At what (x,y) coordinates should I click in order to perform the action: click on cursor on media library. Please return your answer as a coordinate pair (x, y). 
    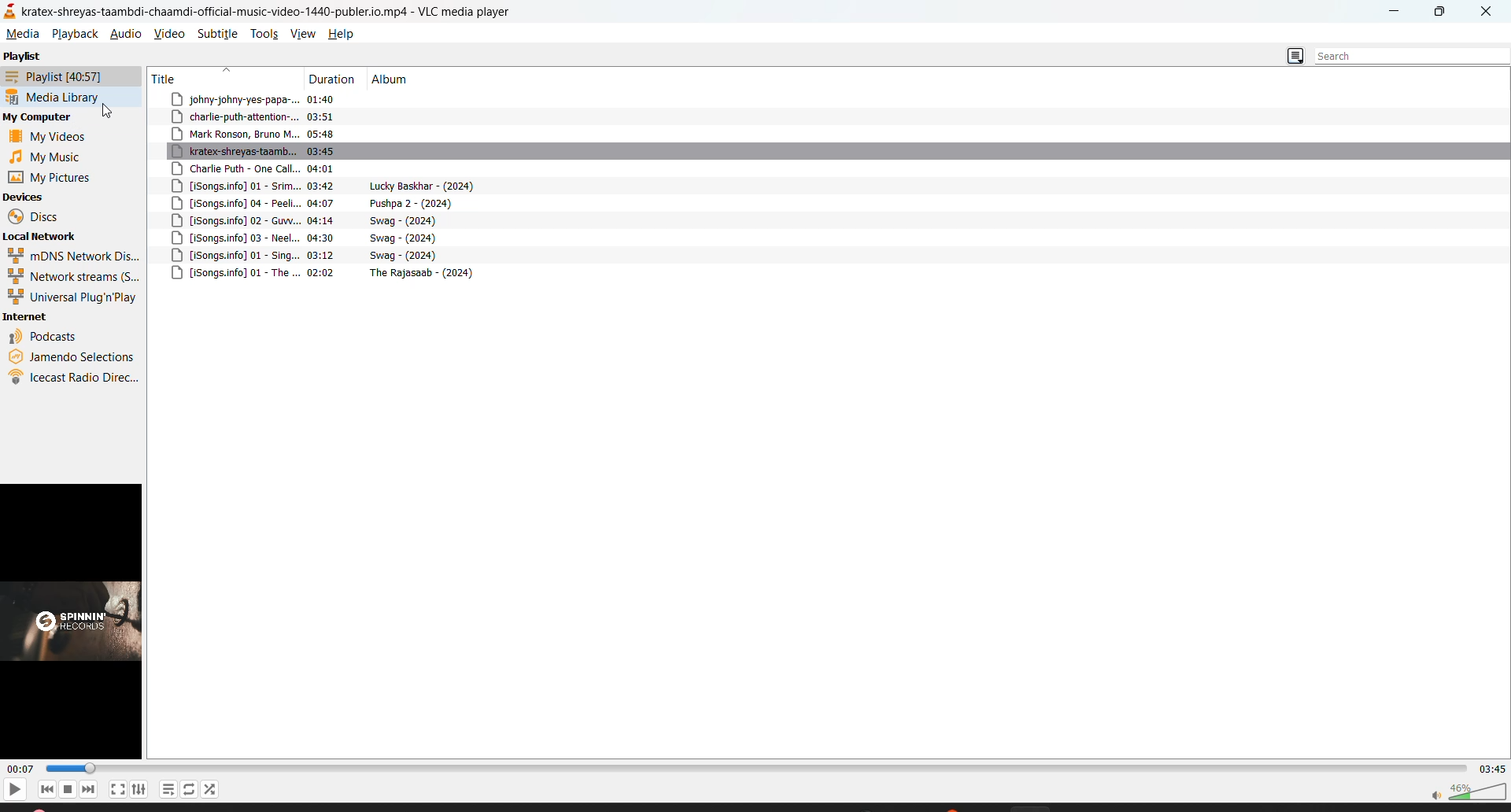
    Looking at the image, I should click on (107, 113).